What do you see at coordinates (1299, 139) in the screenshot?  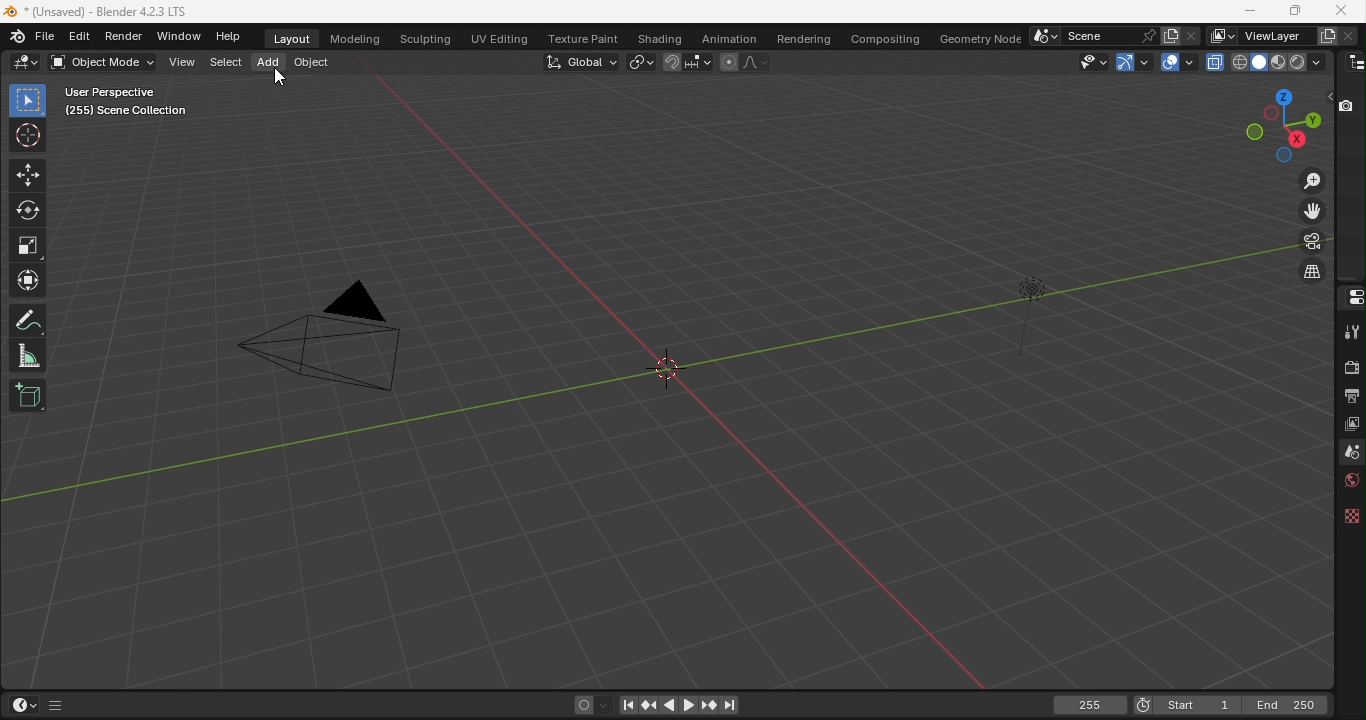 I see `Rotate the scene` at bounding box center [1299, 139].